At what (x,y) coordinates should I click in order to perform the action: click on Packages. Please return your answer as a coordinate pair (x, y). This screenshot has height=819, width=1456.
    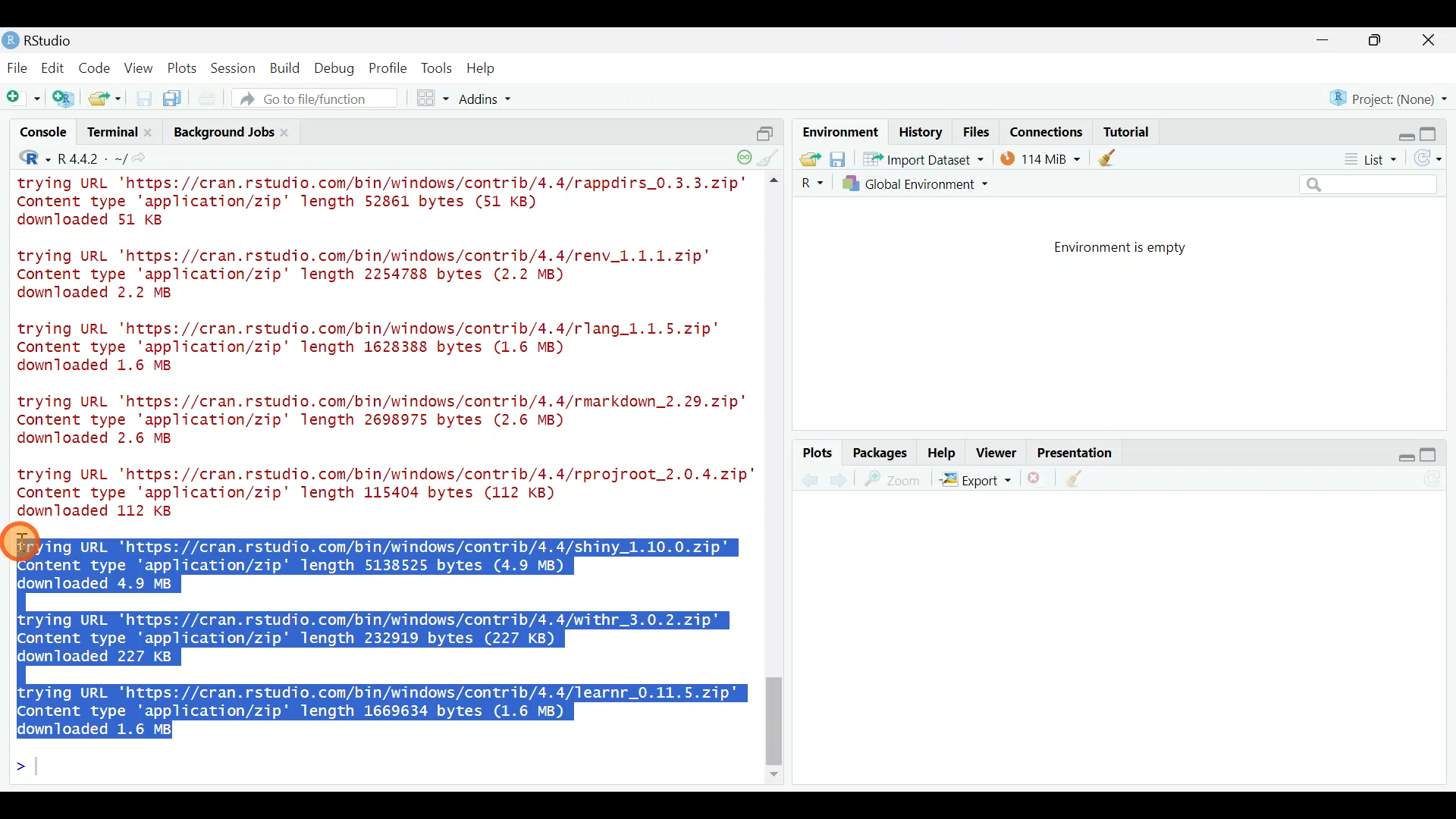
    Looking at the image, I should click on (879, 452).